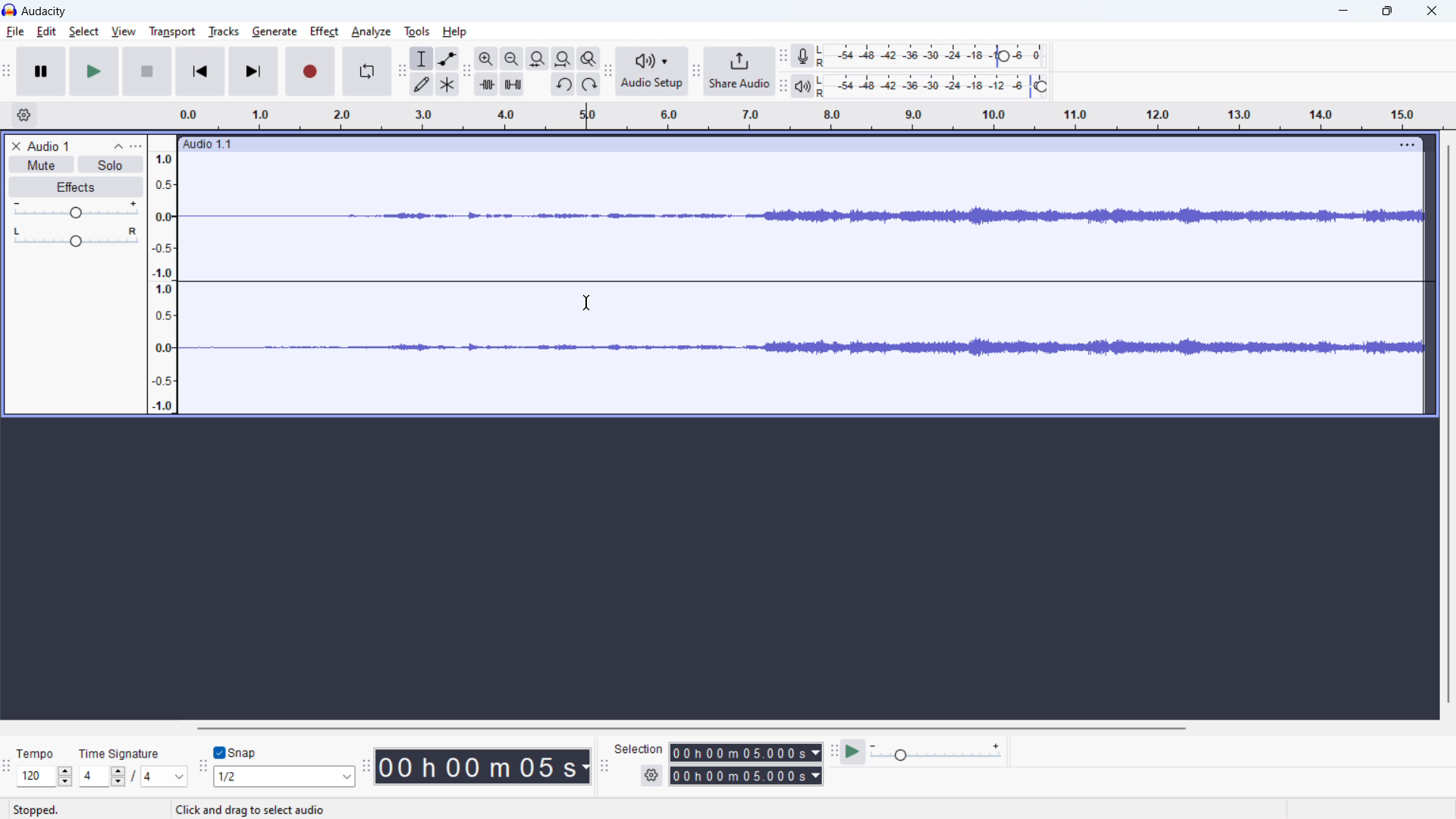 Image resolution: width=1456 pixels, height=819 pixels. Describe the element at coordinates (736, 71) in the screenshot. I see `share audio` at that location.